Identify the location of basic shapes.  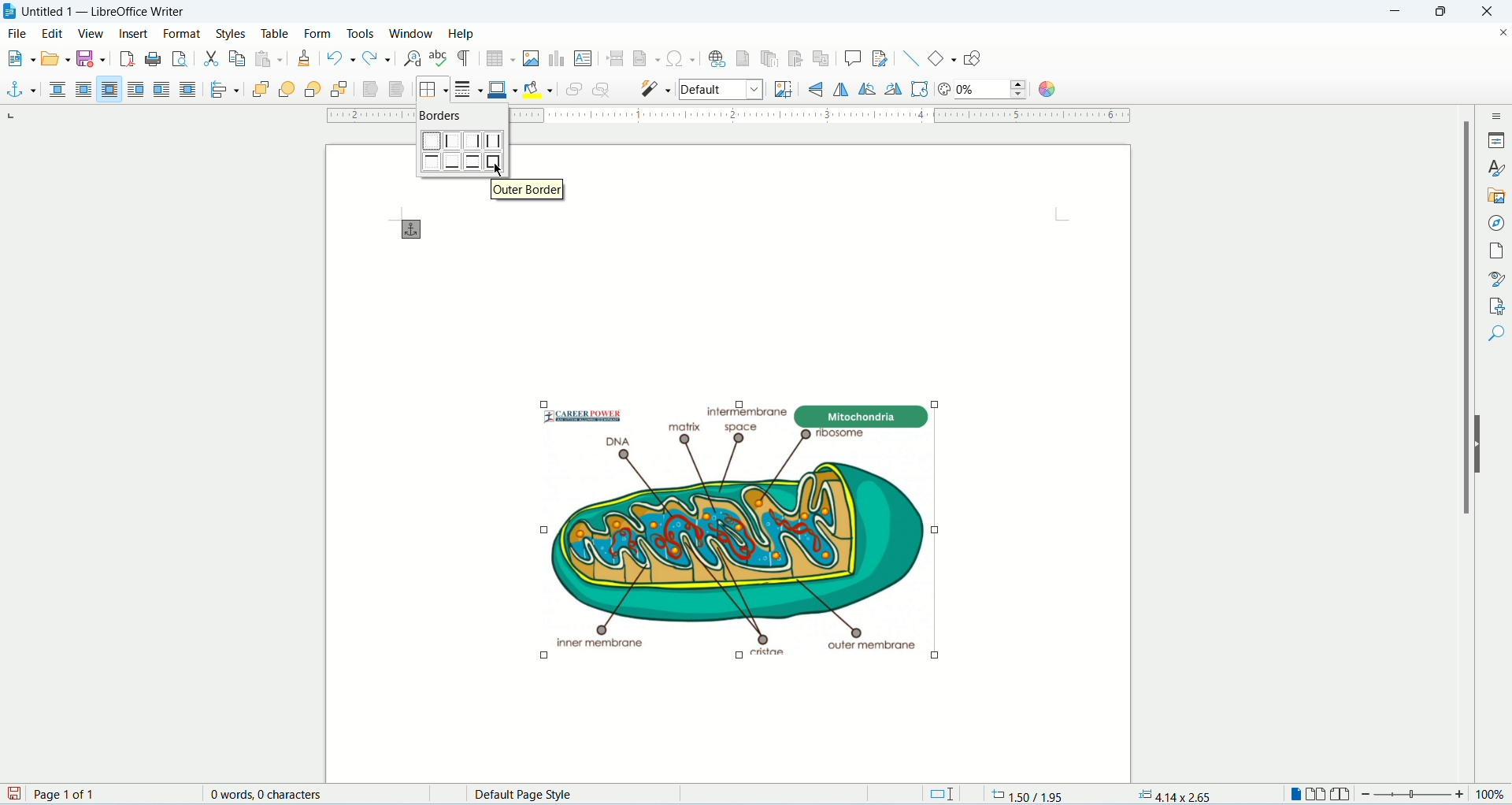
(943, 58).